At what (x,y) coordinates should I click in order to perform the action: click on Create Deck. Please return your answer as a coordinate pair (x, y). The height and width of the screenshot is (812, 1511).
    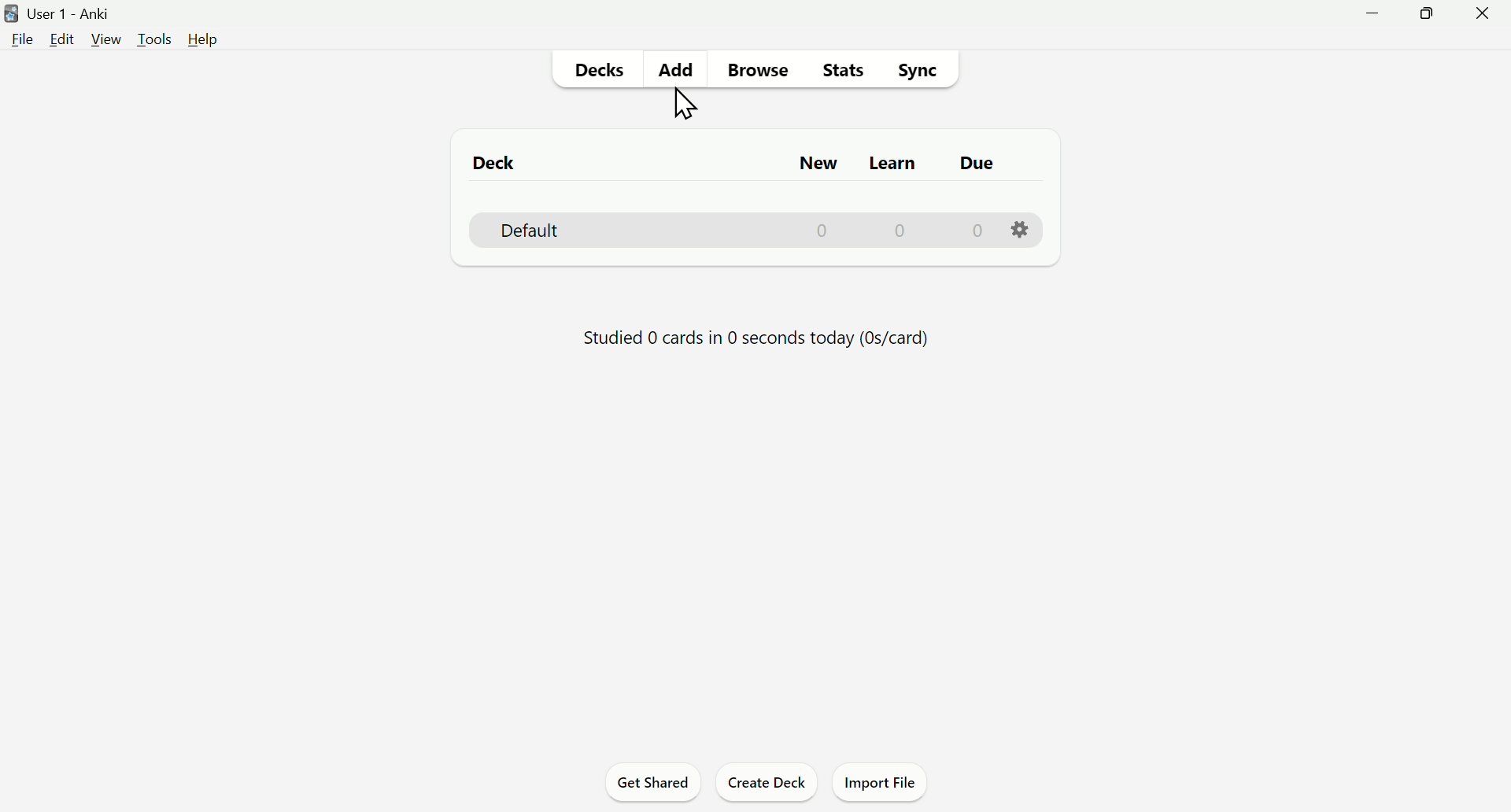
    Looking at the image, I should click on (769, 785).